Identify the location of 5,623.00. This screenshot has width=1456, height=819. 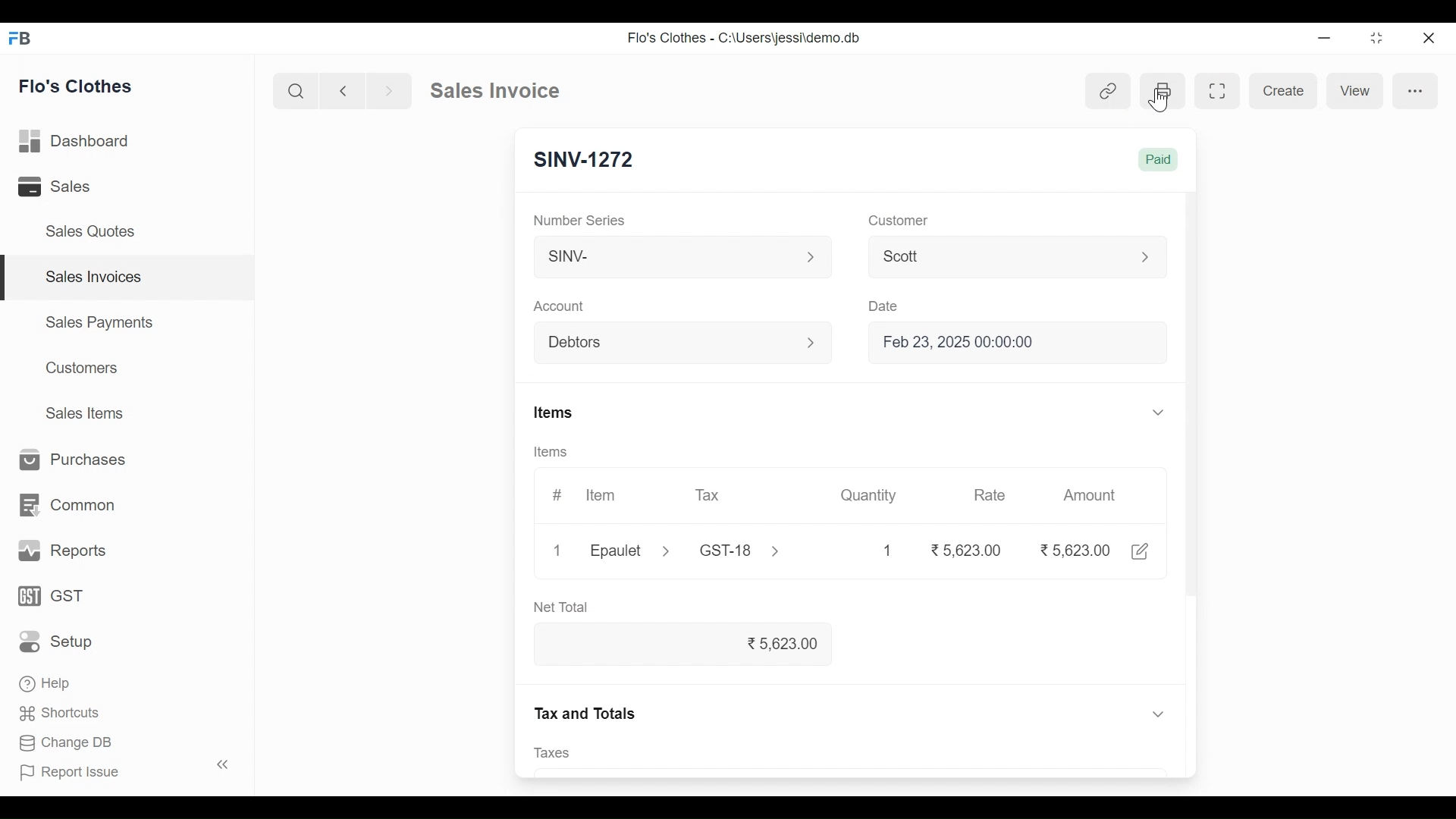
(962, 549).